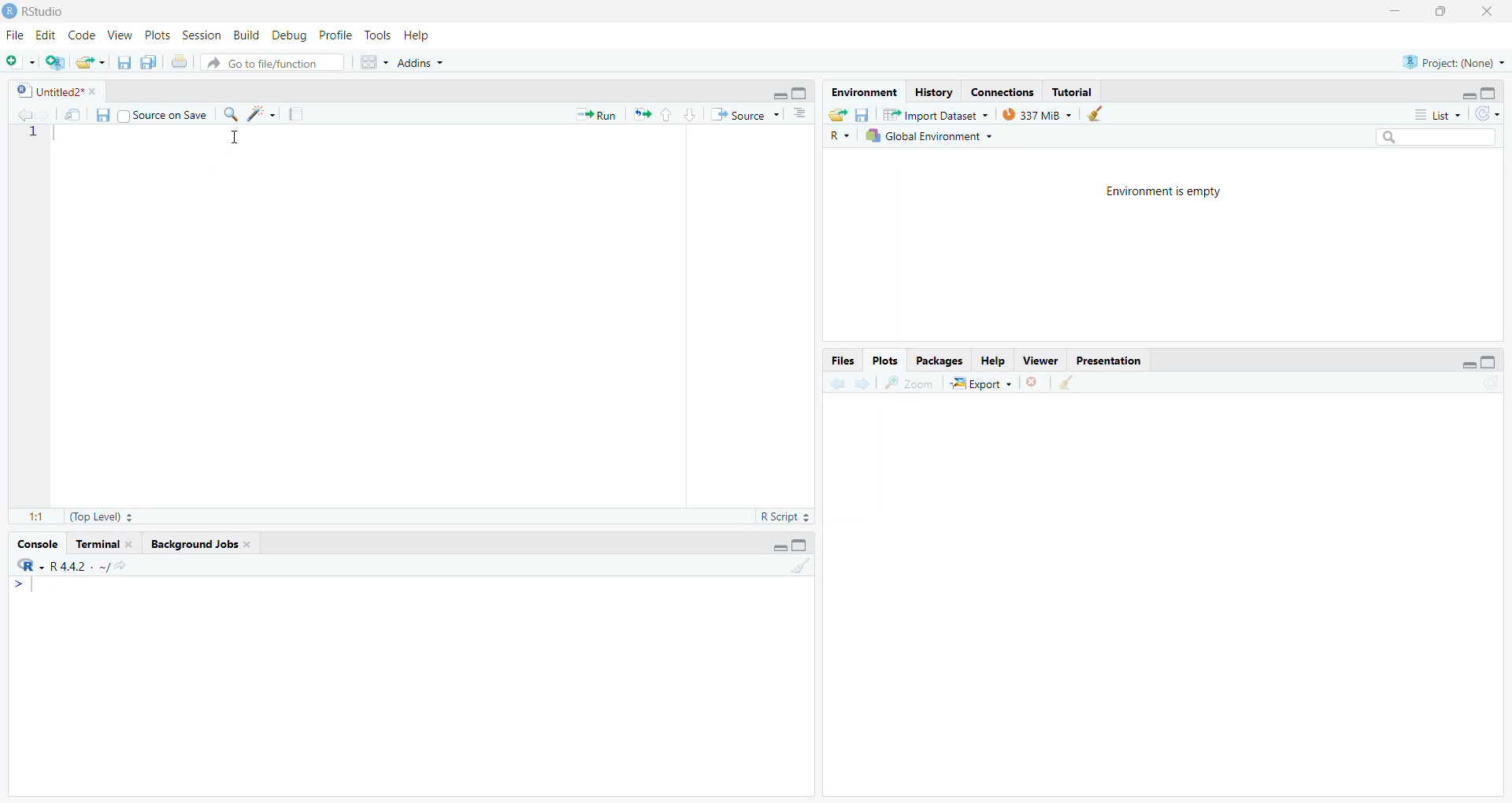  What do you see at coordinates (861, 92) in the screenshot?
I see `Environment` at bounding box center [861, 92].